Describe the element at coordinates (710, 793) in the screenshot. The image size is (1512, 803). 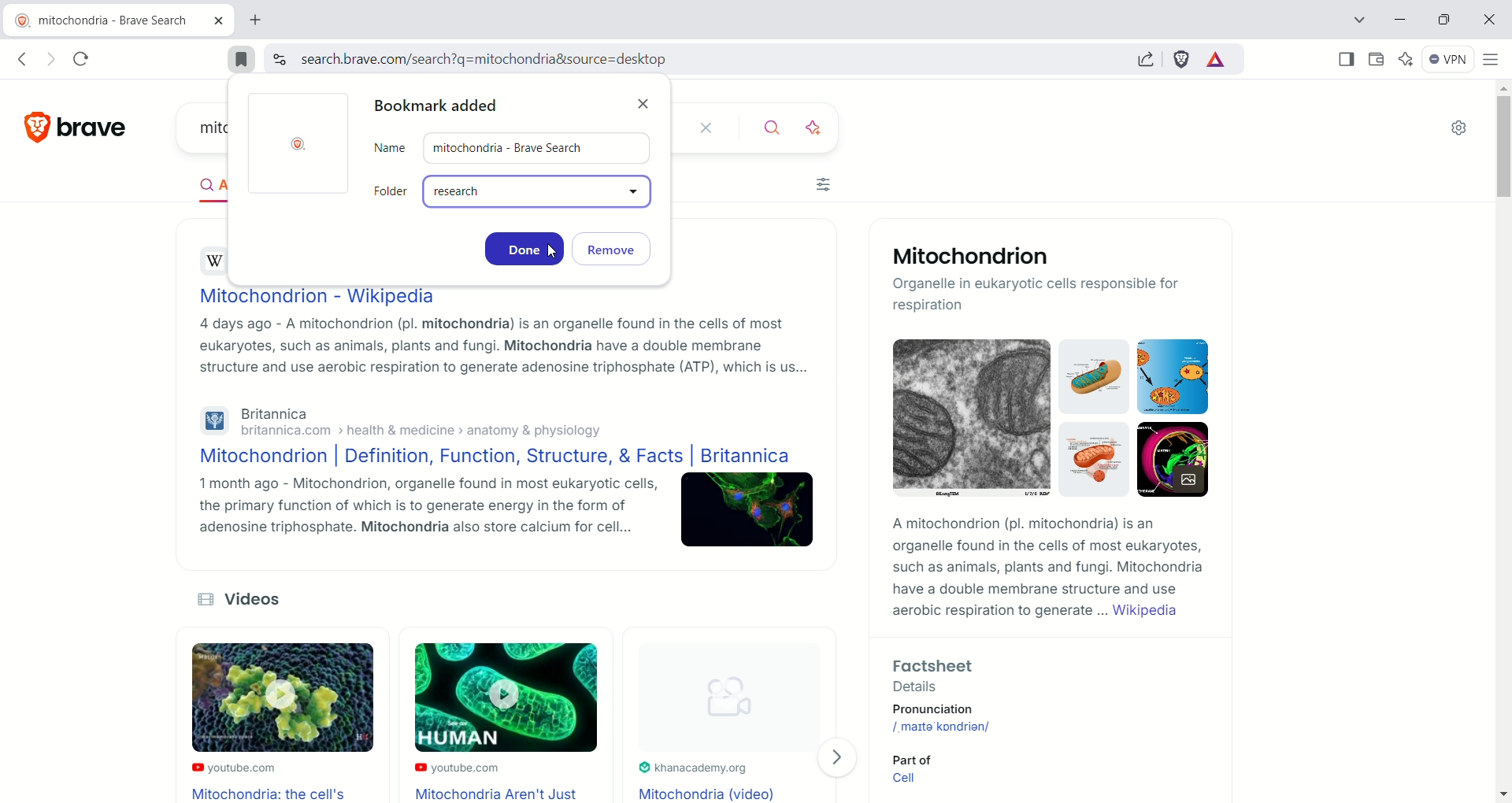
I see `Mitochondria (Video)` at that location.